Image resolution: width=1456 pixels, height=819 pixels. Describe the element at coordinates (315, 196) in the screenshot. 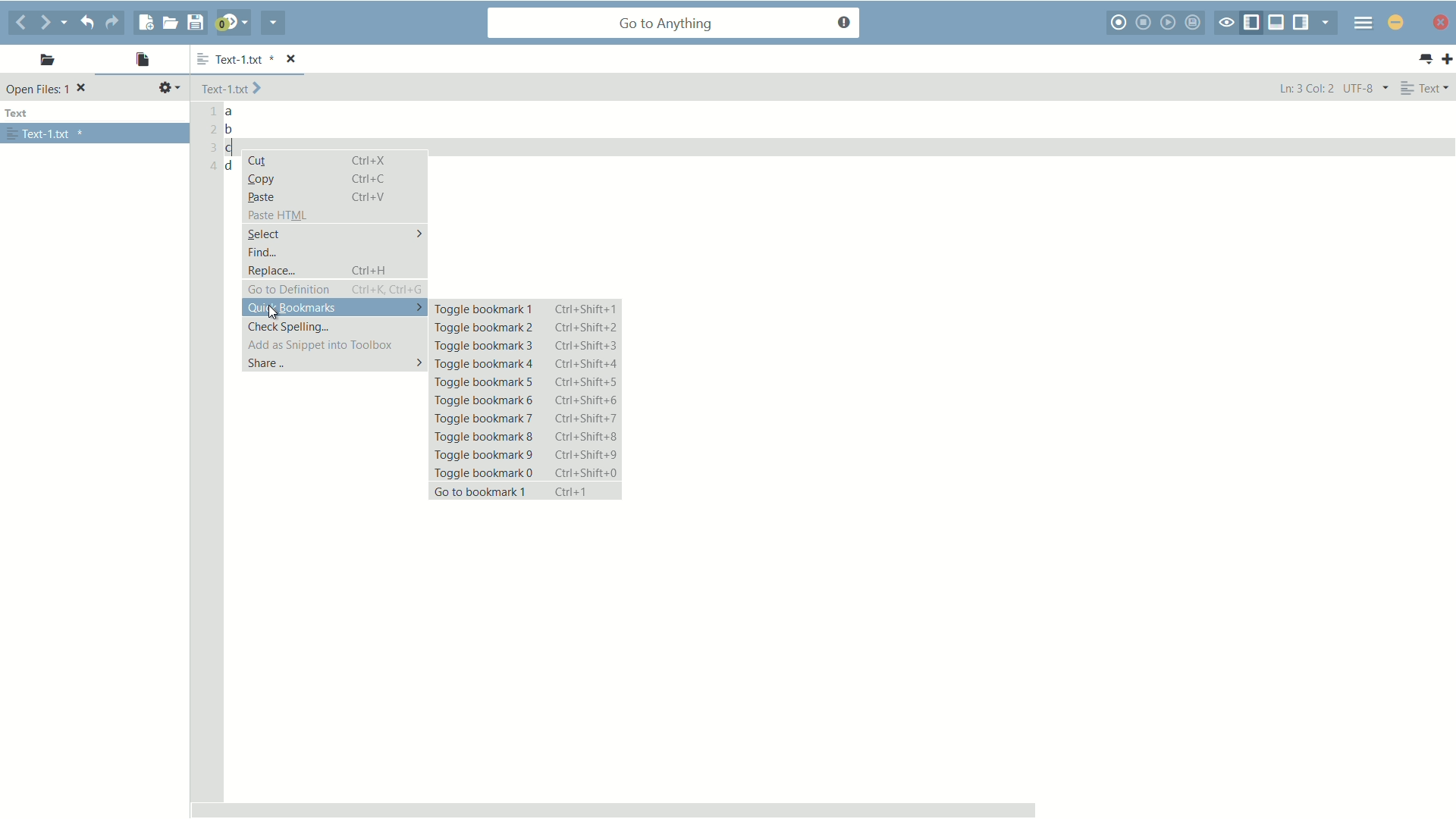

I see `paste ctrl+V` at that location.